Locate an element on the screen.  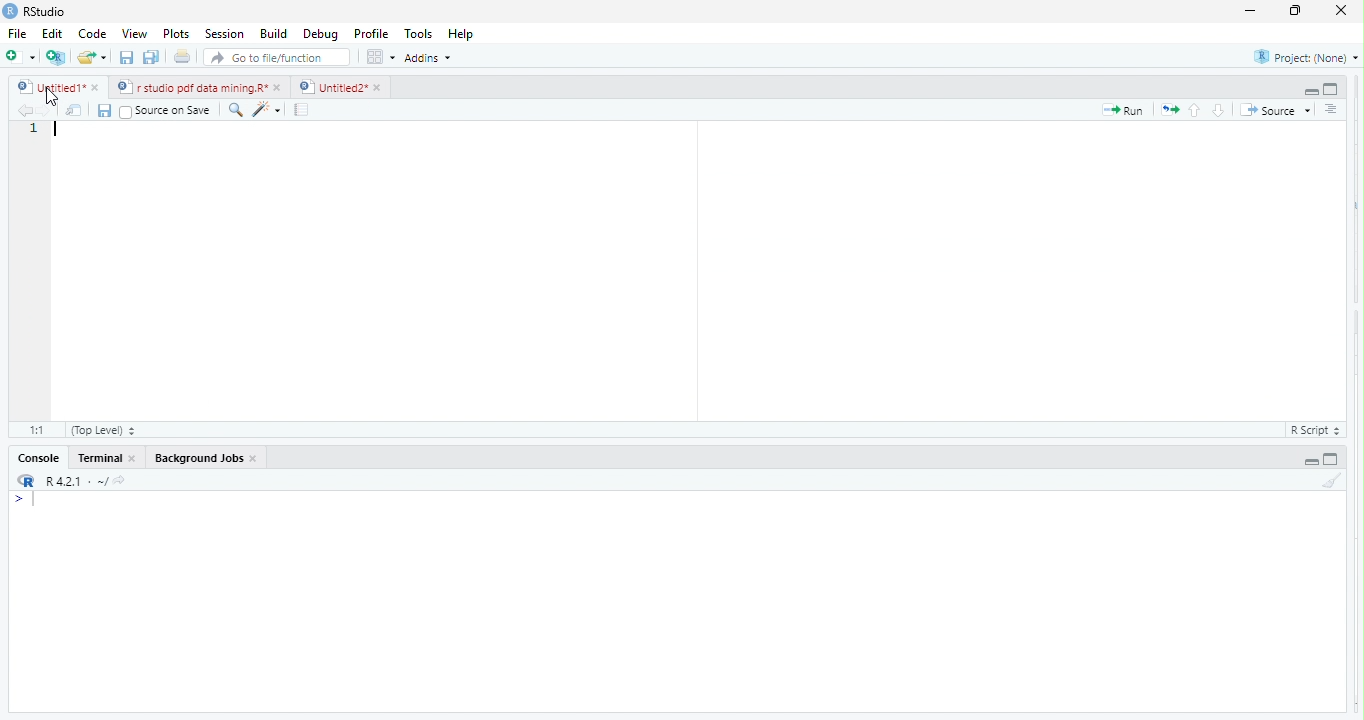
rs studio logo is located at coordinates (26, 481).